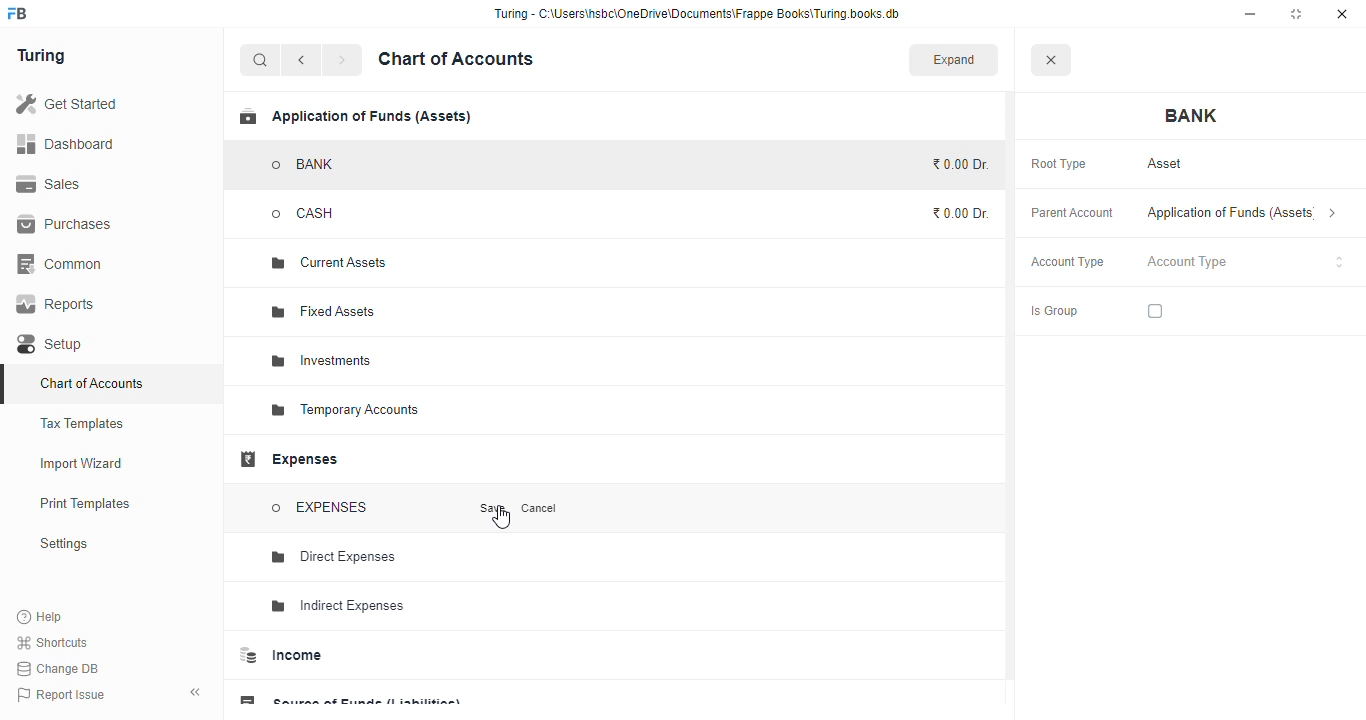  Describe the element at coordinates (456, 59) in the screenshot. I see `chart of accounts` at that location.